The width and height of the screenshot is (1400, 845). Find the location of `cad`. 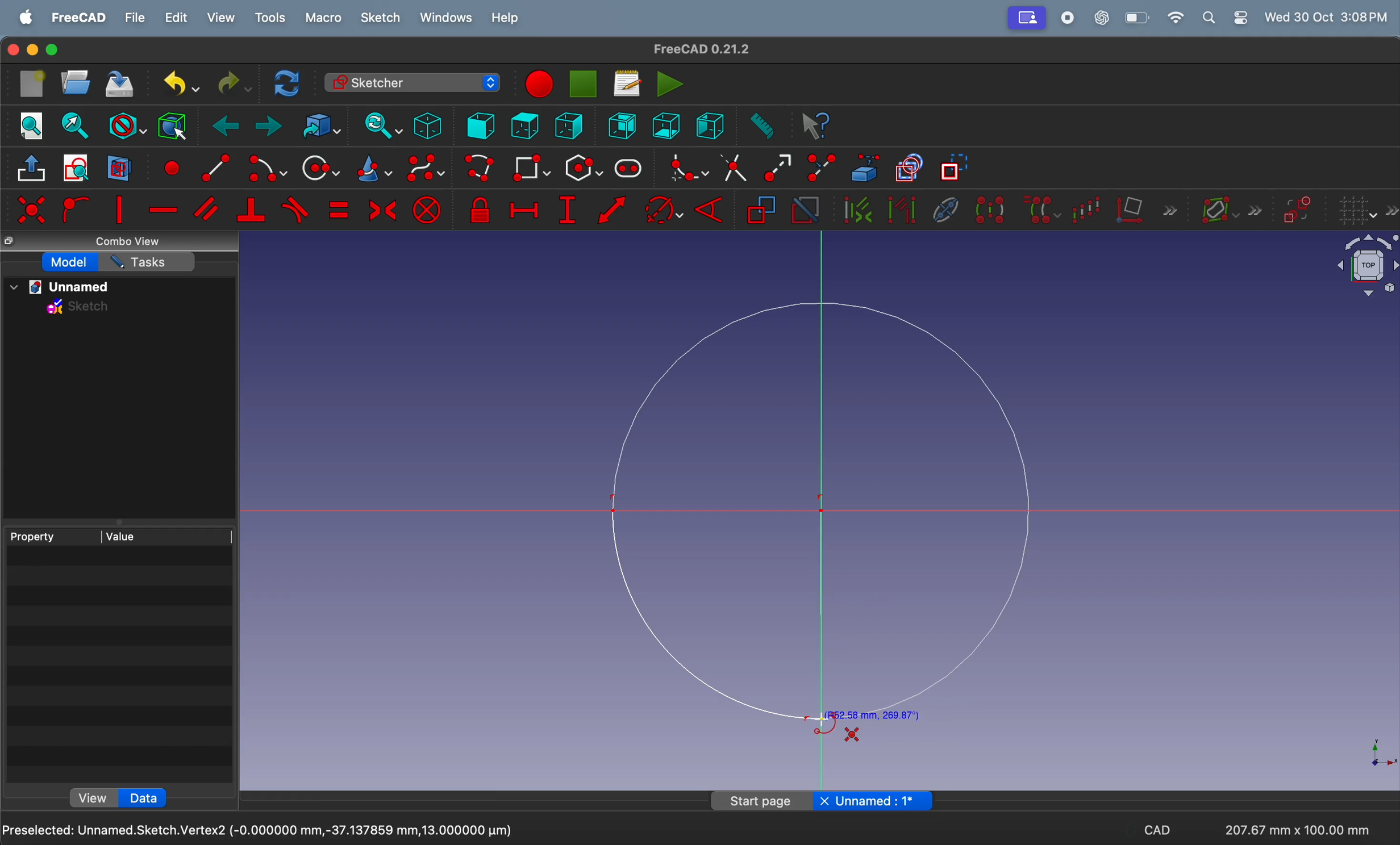

cad is located at coordinates (1157, 833).